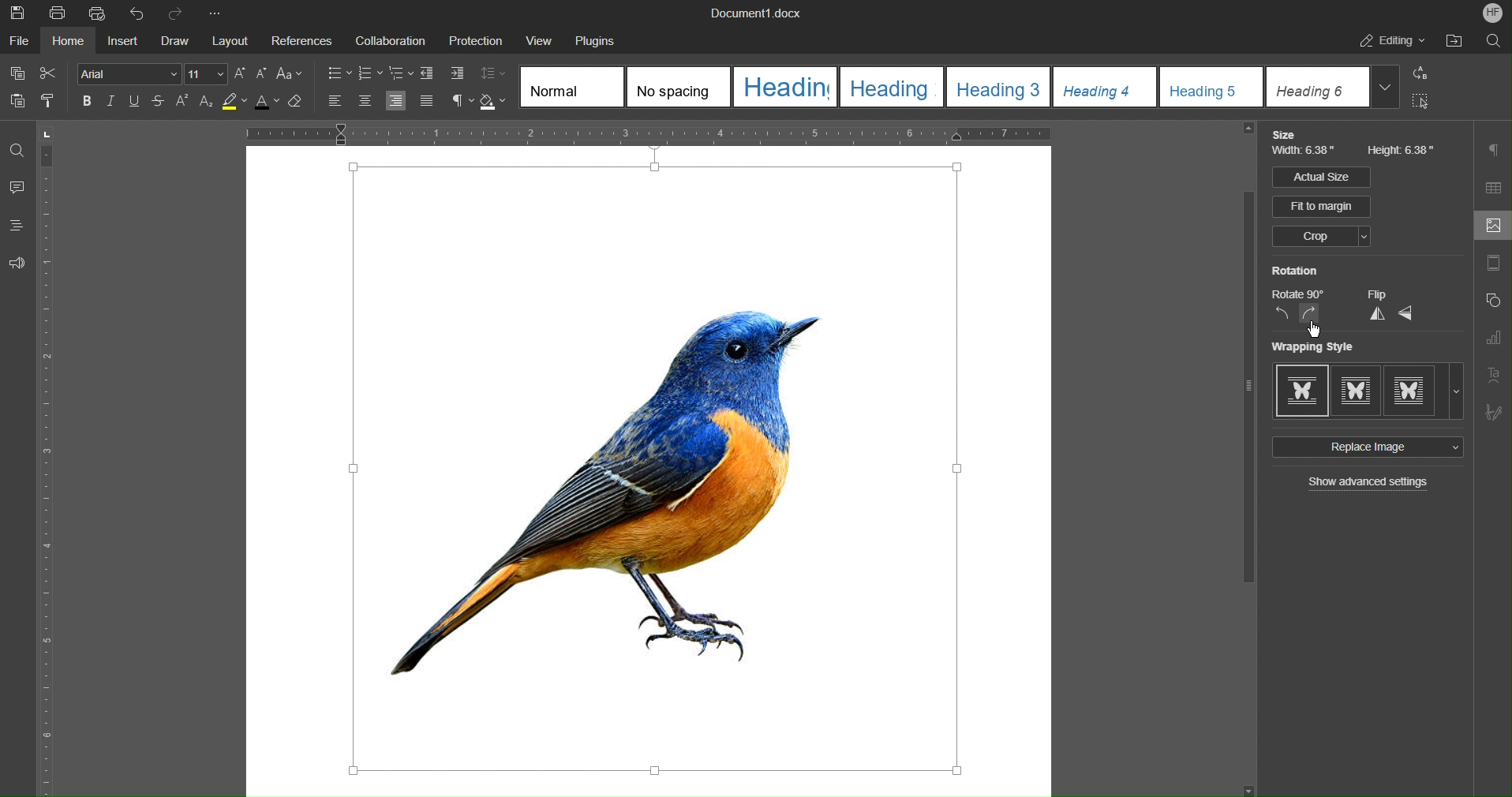 This screenshot has width=1512, height=797. I want to click on View, so click(531, 37).